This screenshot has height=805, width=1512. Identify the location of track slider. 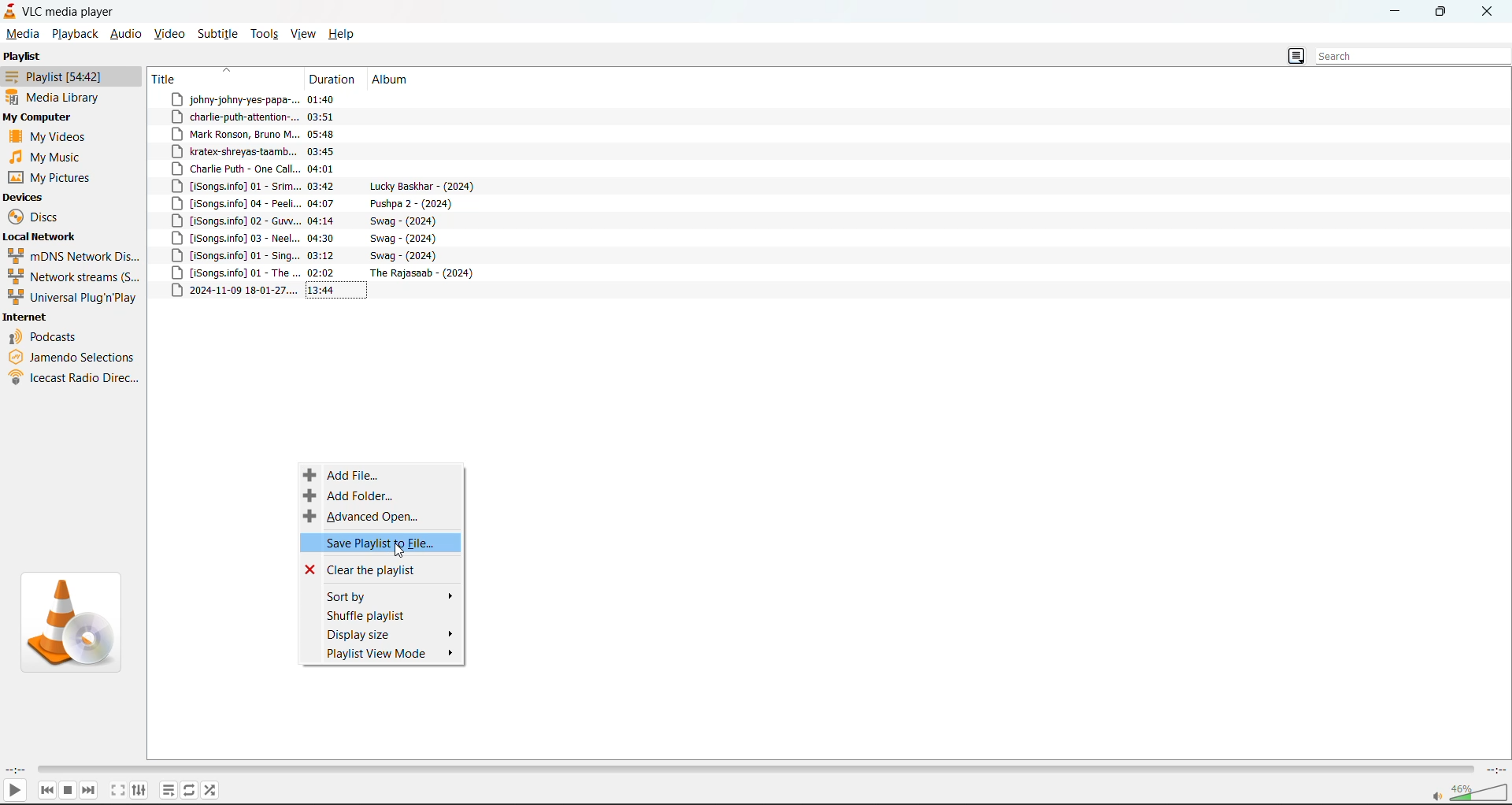
(754, 767).